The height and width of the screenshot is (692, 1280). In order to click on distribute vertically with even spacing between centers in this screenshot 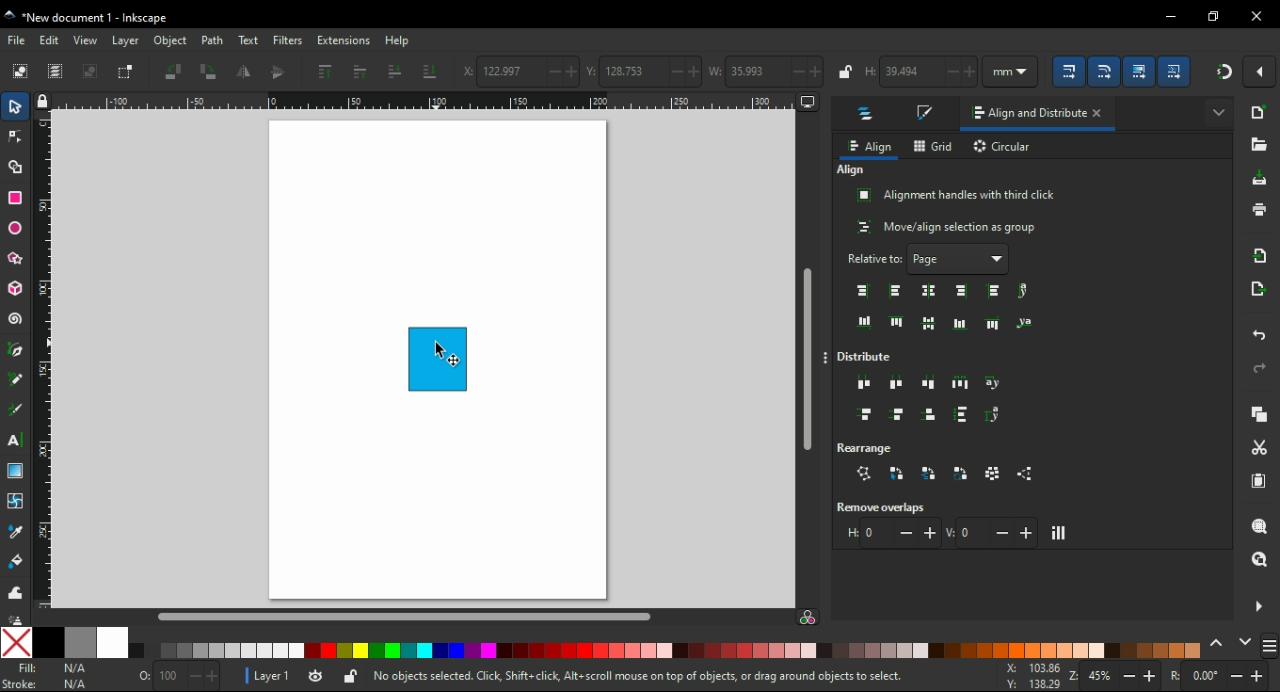, I will do `click(897, 414)`.